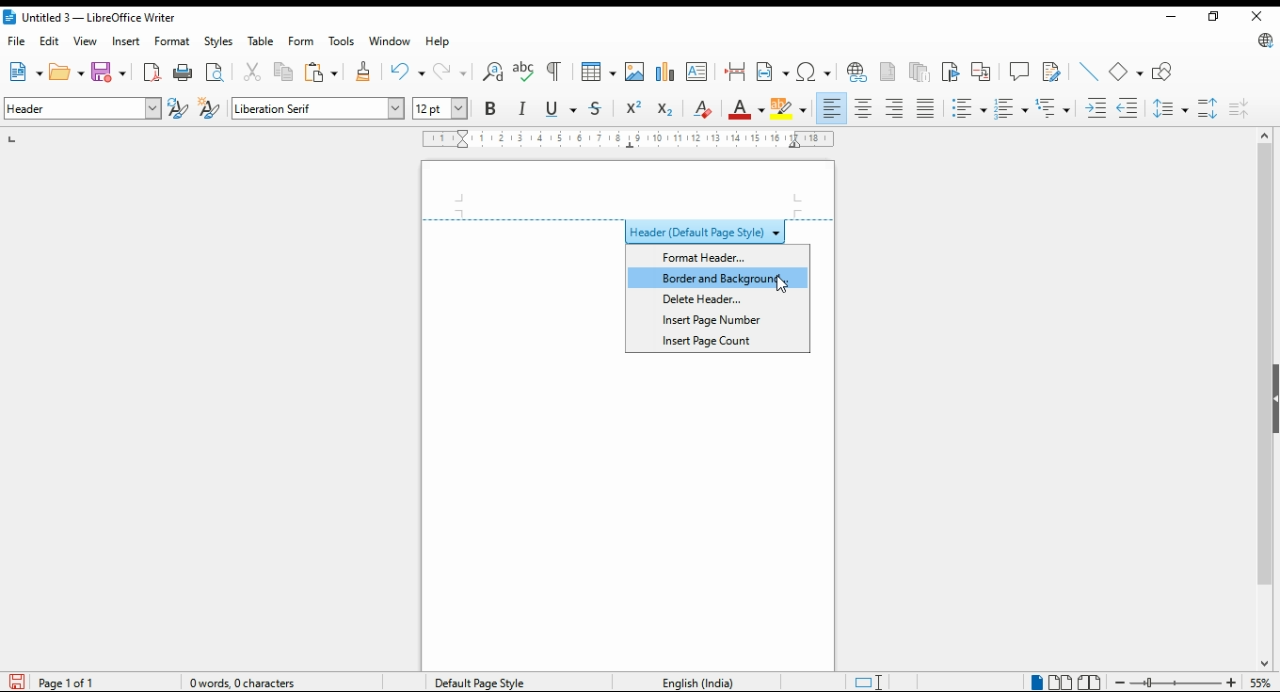  I want to click on underline, so click(561, 109).